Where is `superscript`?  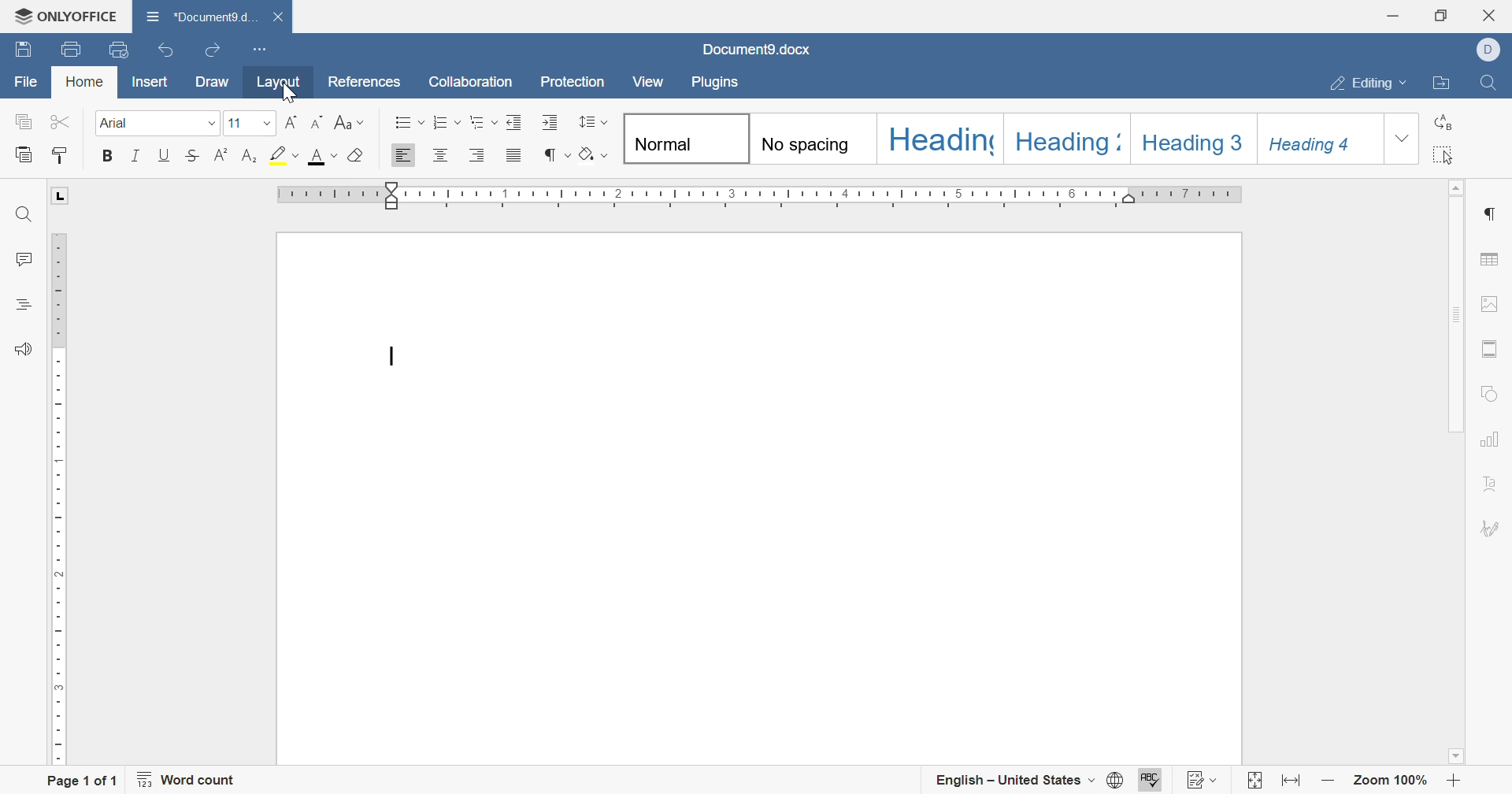
superscript is located at coordinates (220, 155).